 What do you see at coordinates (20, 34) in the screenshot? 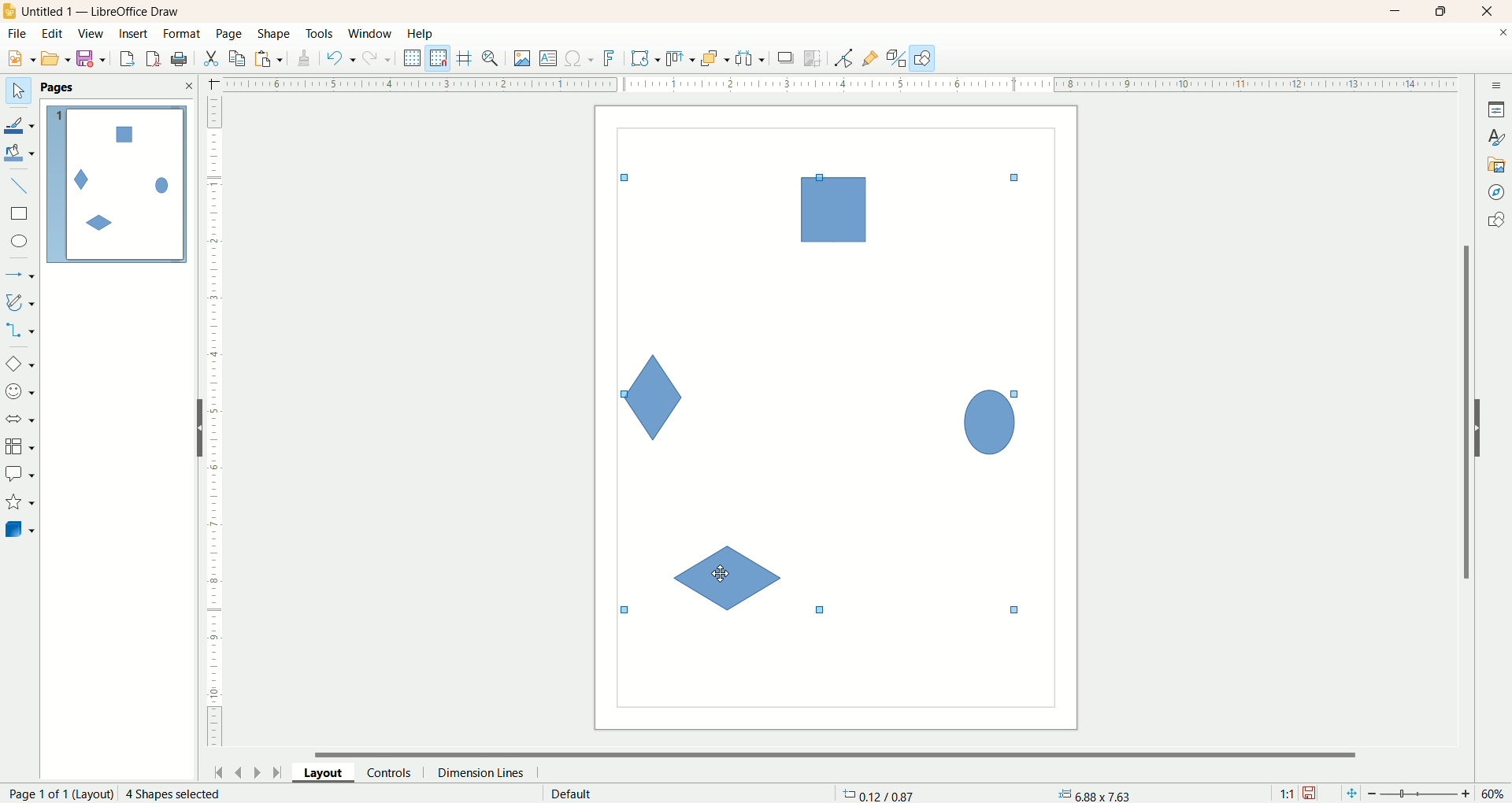
I see `file` at bounding box center [20, 34].